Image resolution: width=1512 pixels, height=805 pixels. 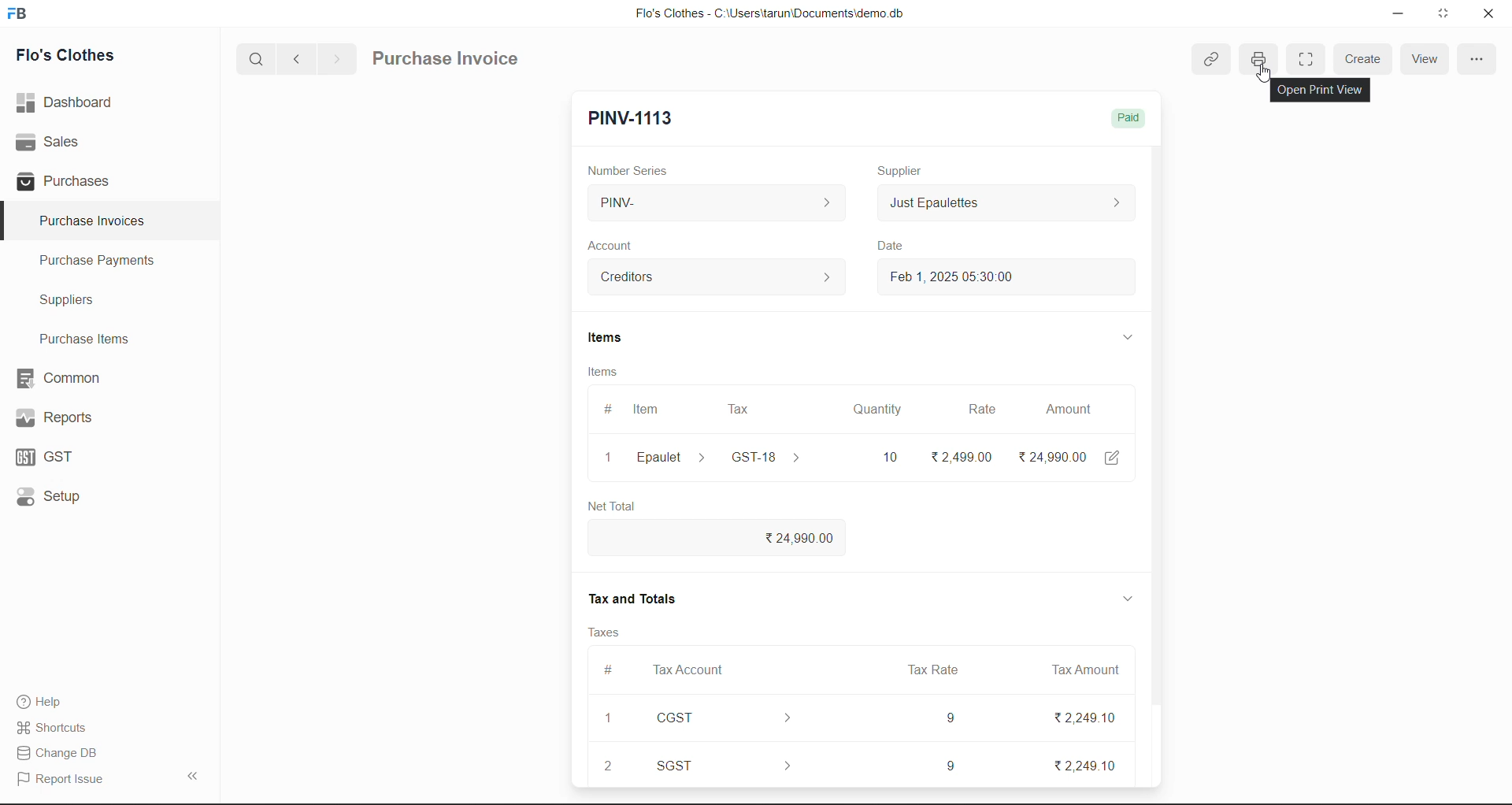 I want to click on serial no, so click(x=610, y=742).